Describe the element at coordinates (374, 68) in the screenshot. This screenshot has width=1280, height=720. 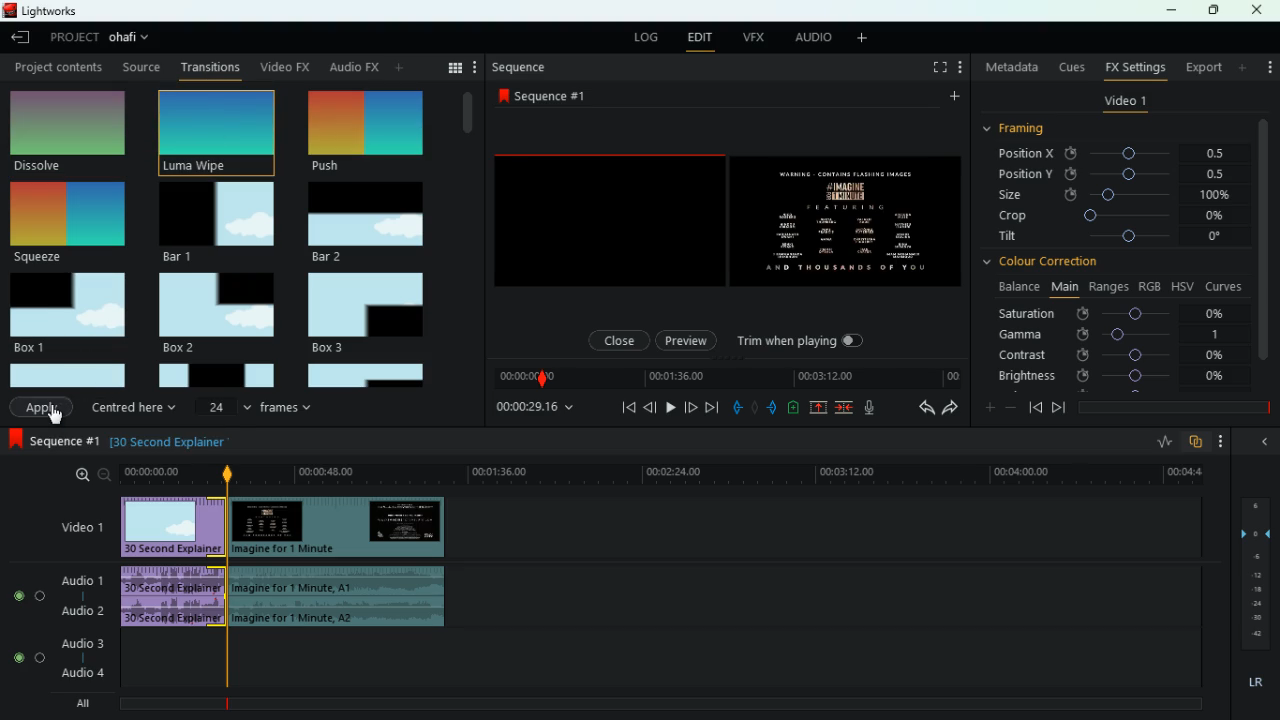
I see `change` at that location.